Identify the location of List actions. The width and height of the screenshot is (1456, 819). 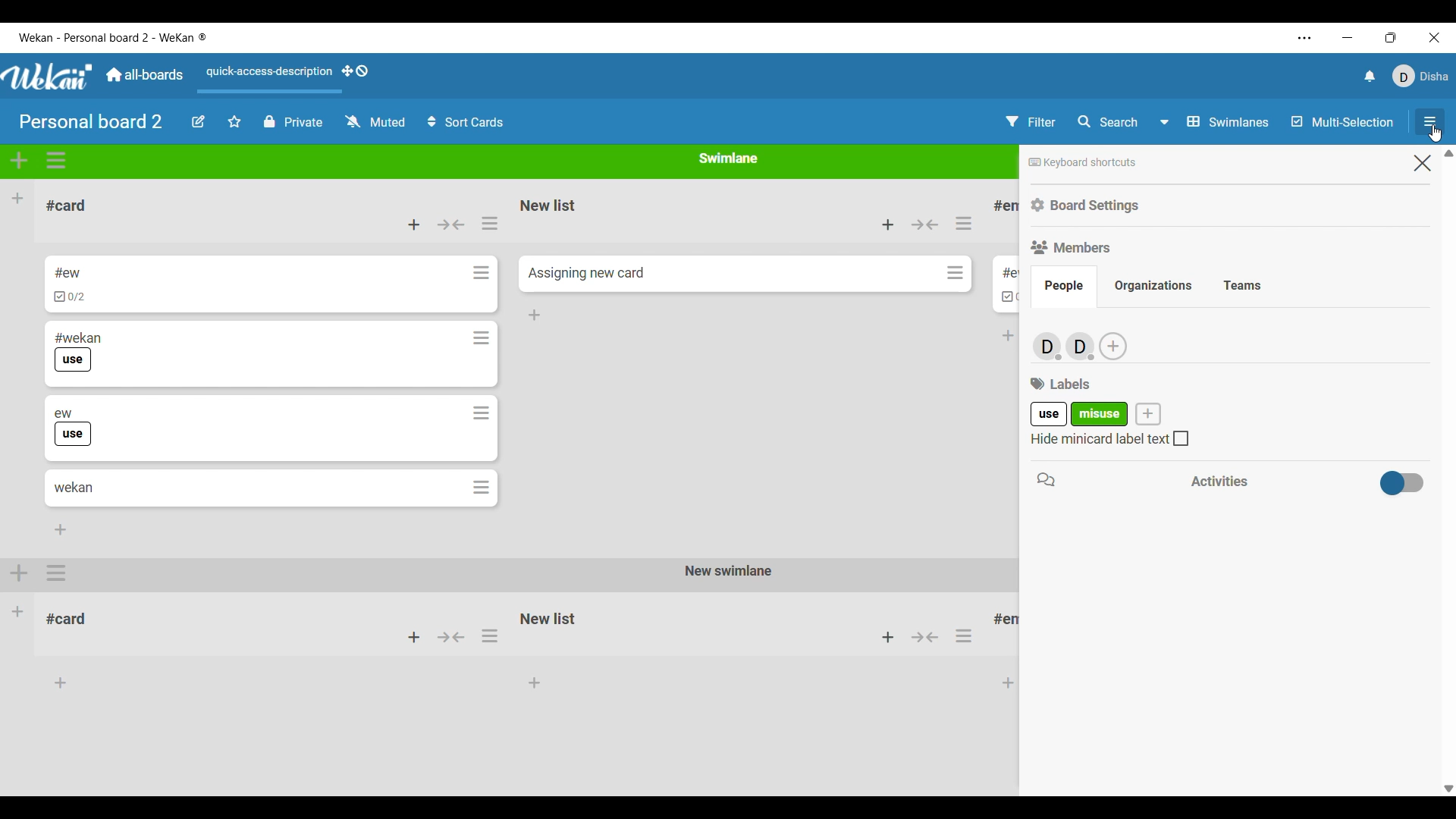
(490, 224).